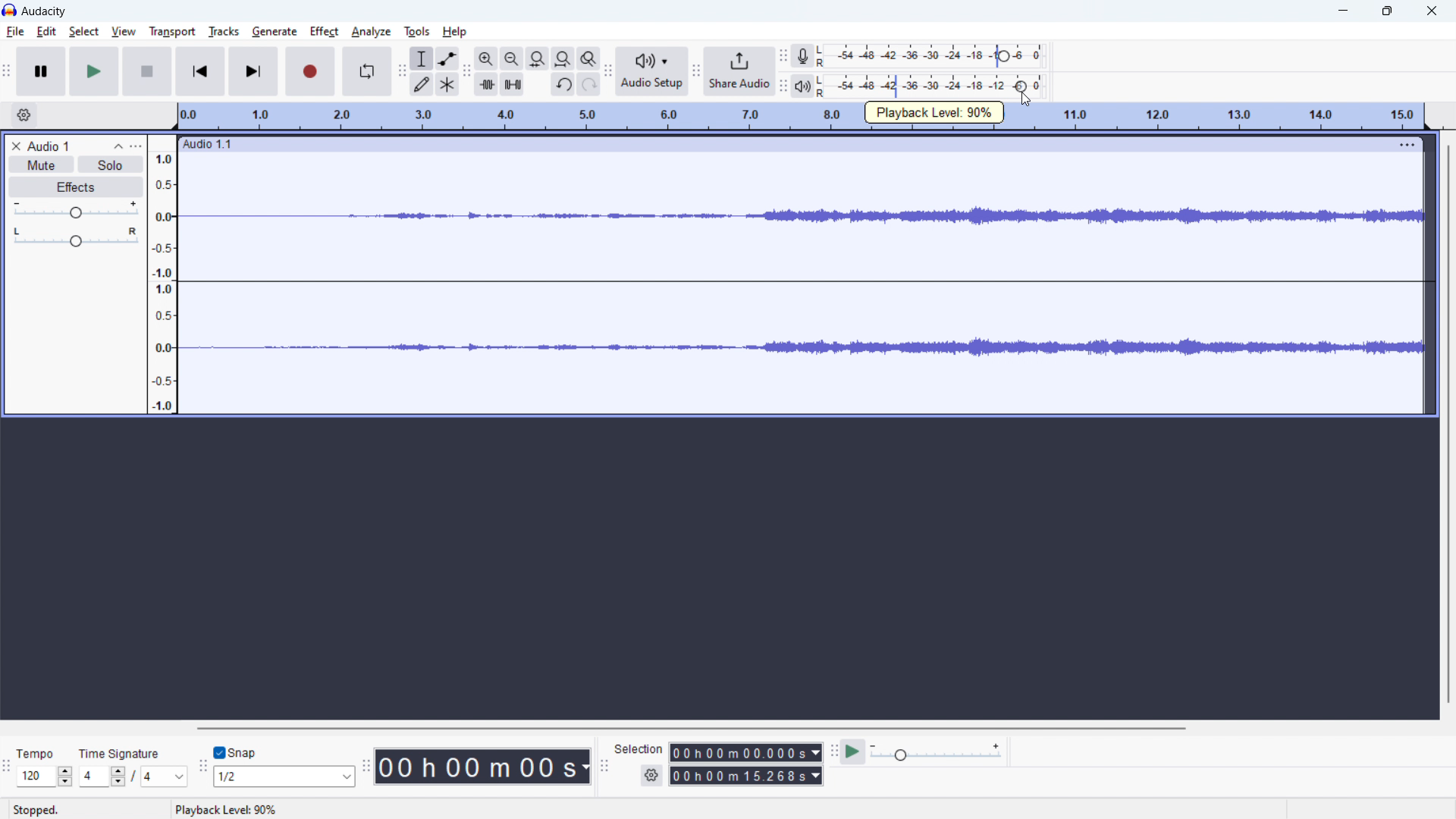  What do you see at coordinates (604, 767) in the screenshot?
I see `selection toolbar` at bounding box center [604, 767].